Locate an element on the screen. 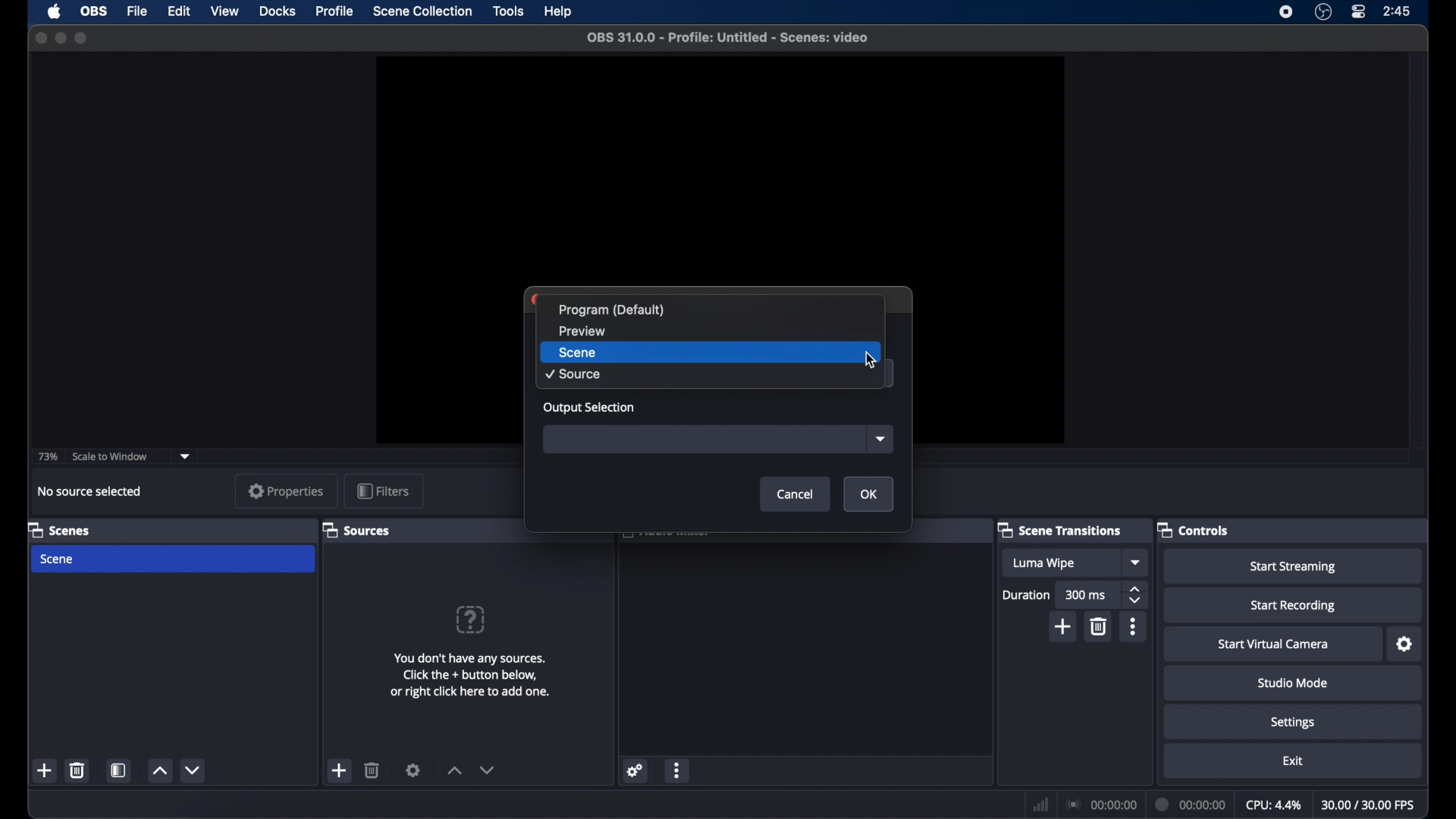 The width and height of the screenshot is (1456, 819). duration is located at coordinates (1191, 804).